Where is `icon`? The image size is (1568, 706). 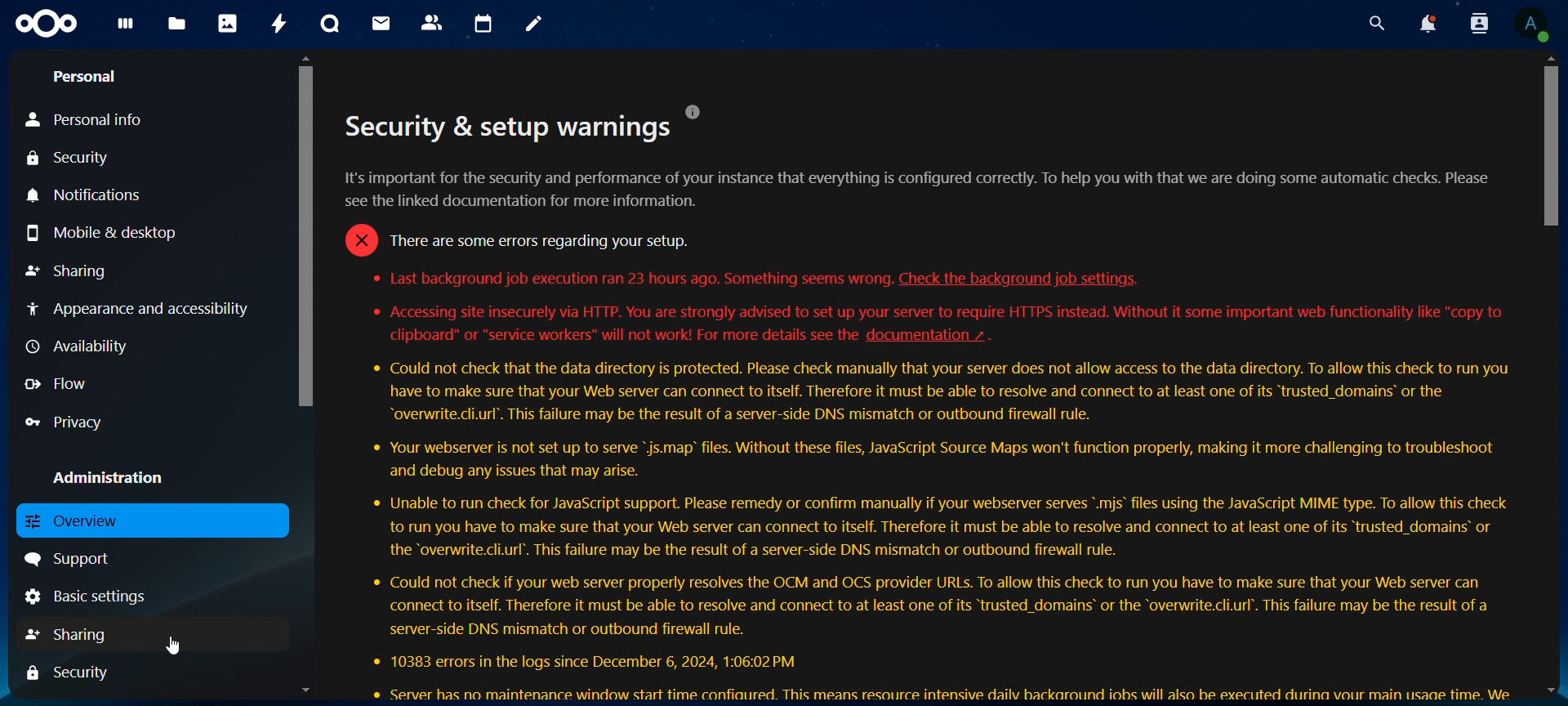 icon is located at coordinates (51, 24).